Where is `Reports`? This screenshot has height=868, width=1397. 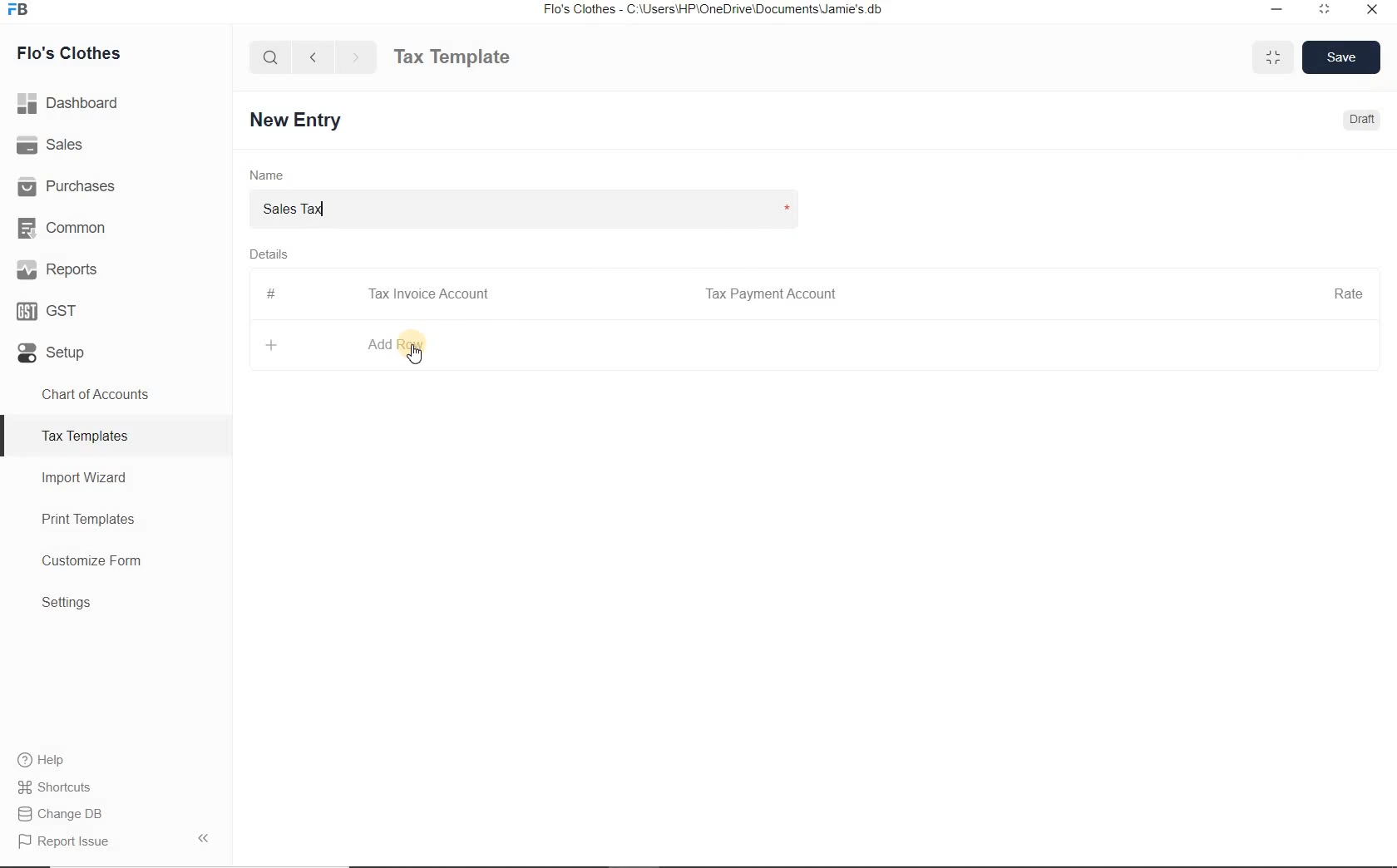
Reports is located at coordinates (116, 268).